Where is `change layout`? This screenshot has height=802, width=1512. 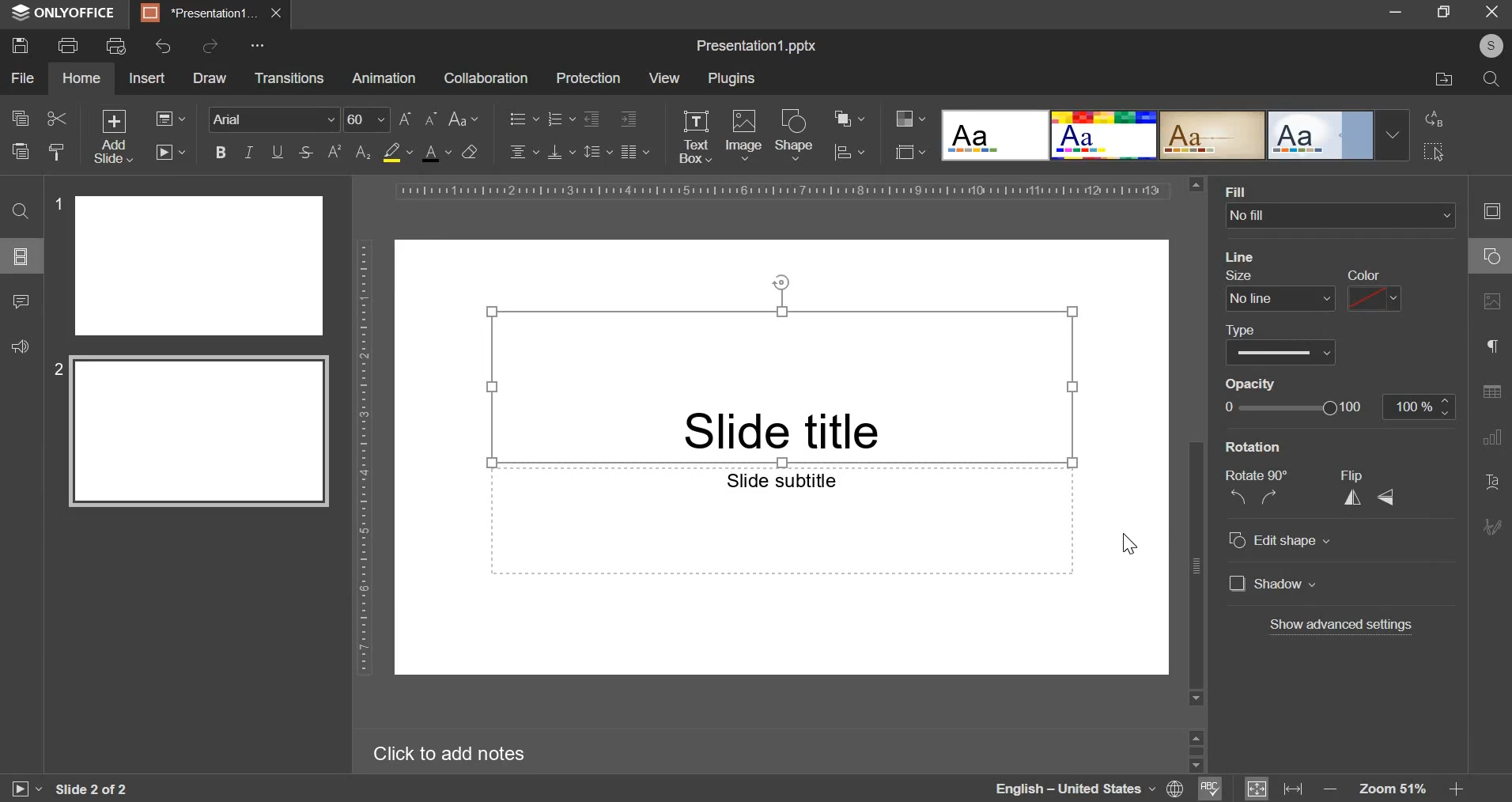 change layout is located at coordinates (169, 118).